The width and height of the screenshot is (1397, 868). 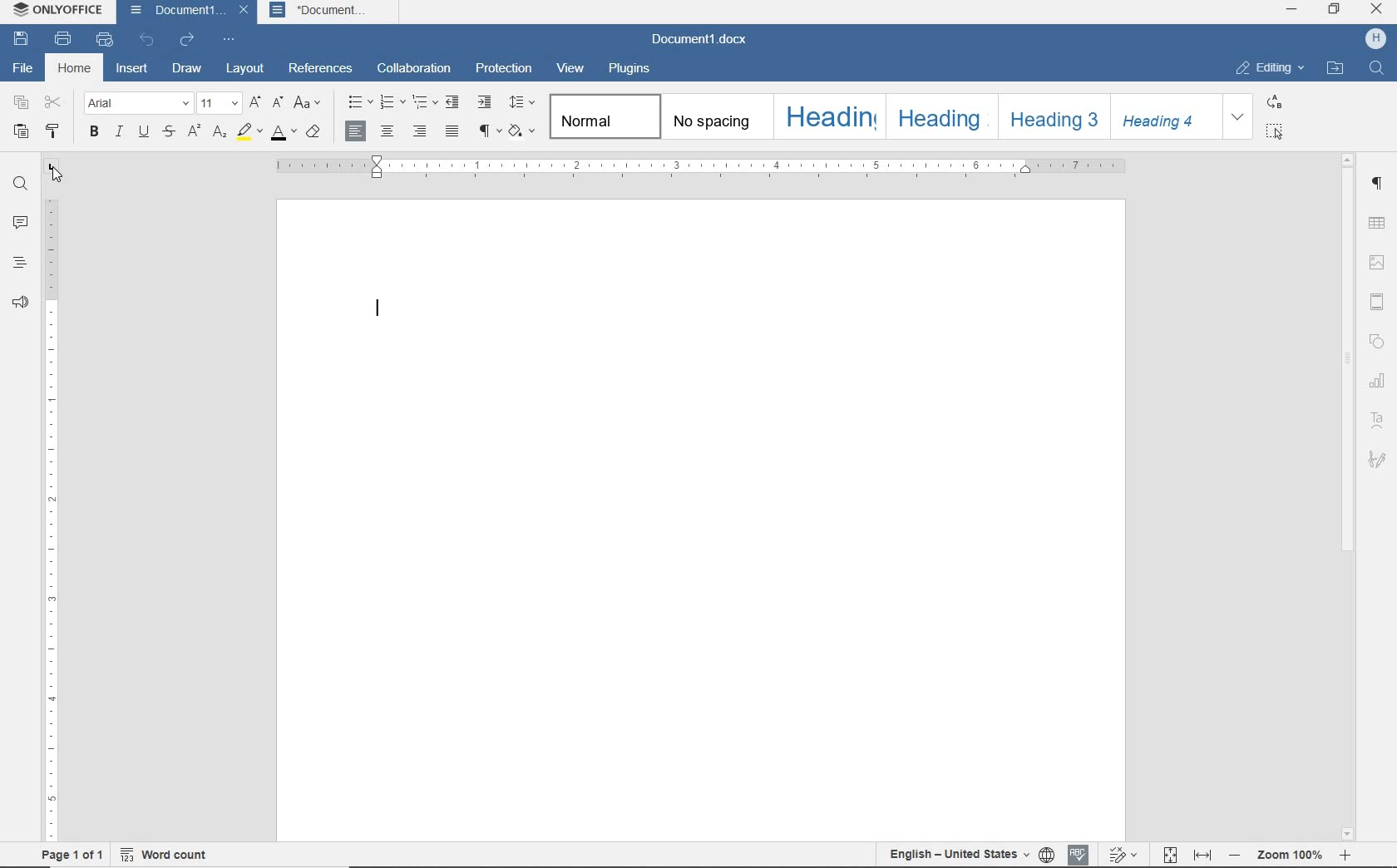 I want to click on INCREMENT FONT SIZE, so click(x=255, y=104).